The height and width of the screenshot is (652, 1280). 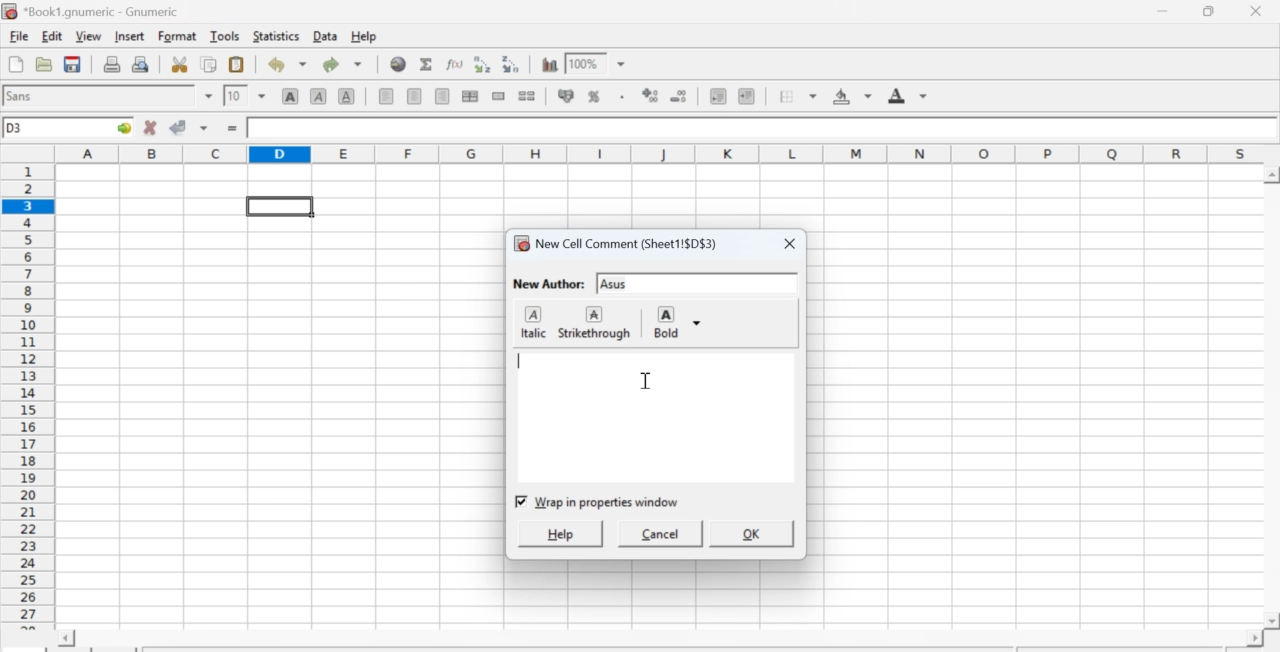 I want to click on Increase indent, so click(x=751, y=96).